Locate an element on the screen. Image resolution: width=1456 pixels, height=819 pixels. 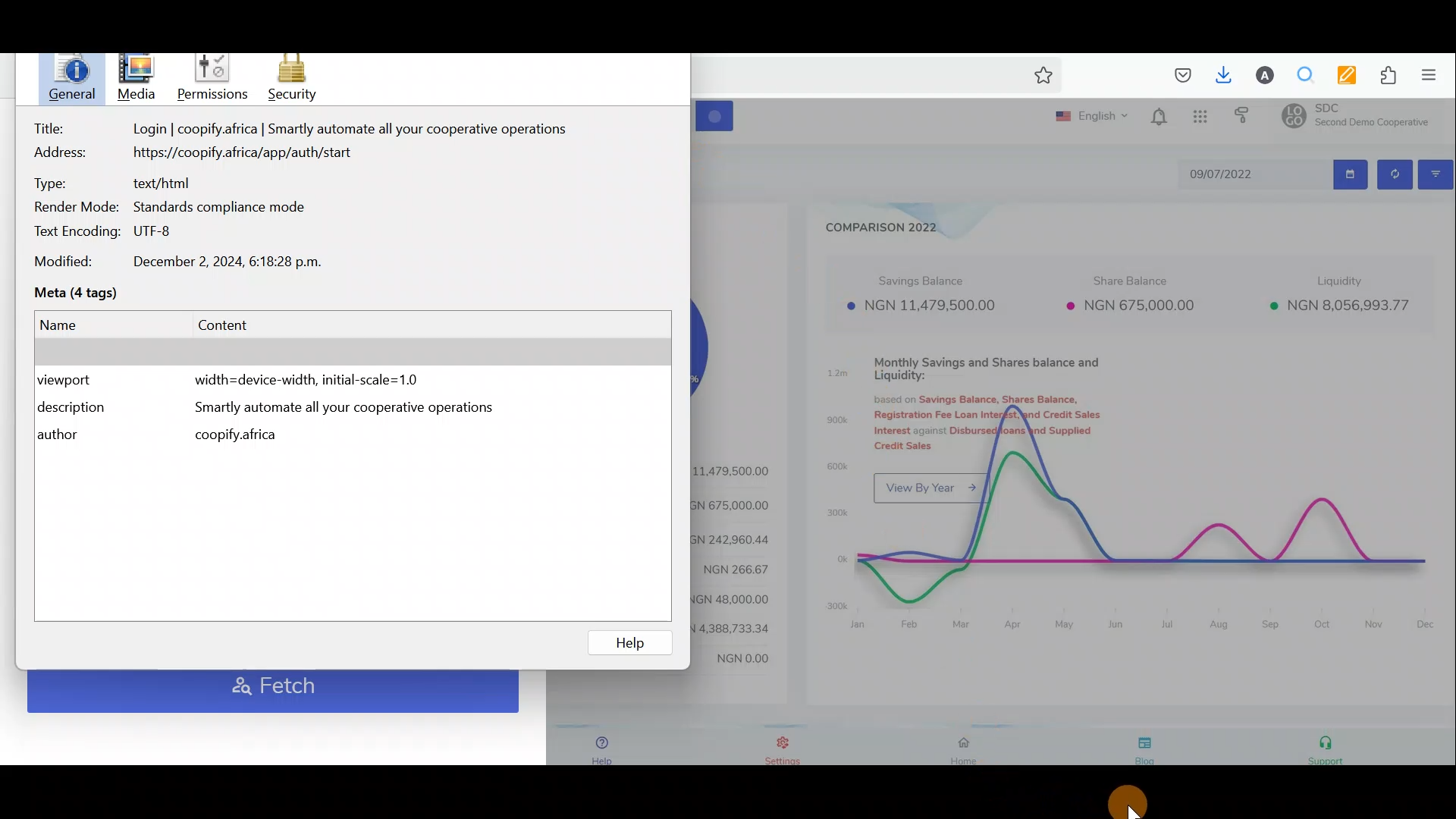
Cursor is located at coordinates (139, 78).